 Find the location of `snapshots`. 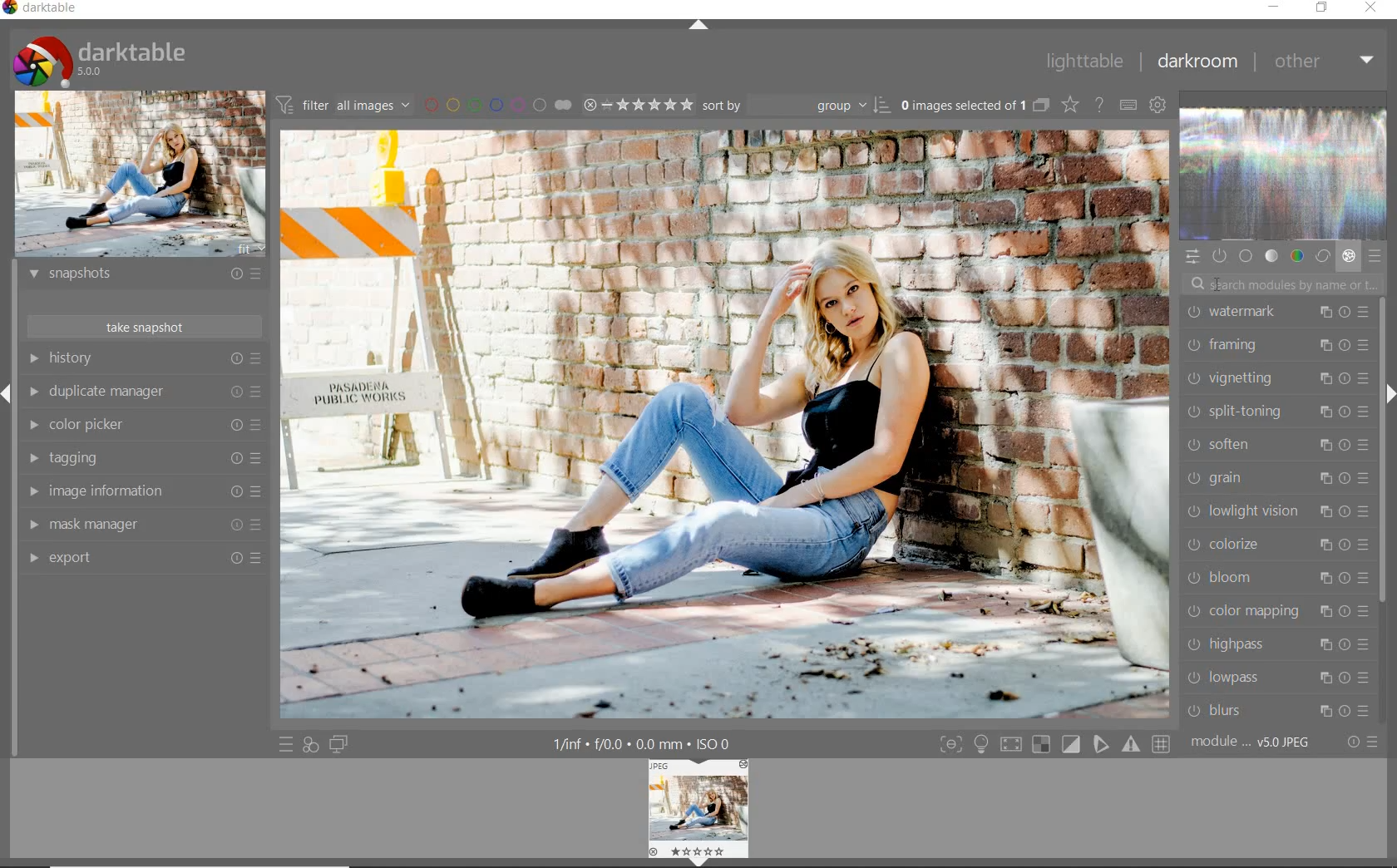

snapshots is located at coordinates (144, 277).